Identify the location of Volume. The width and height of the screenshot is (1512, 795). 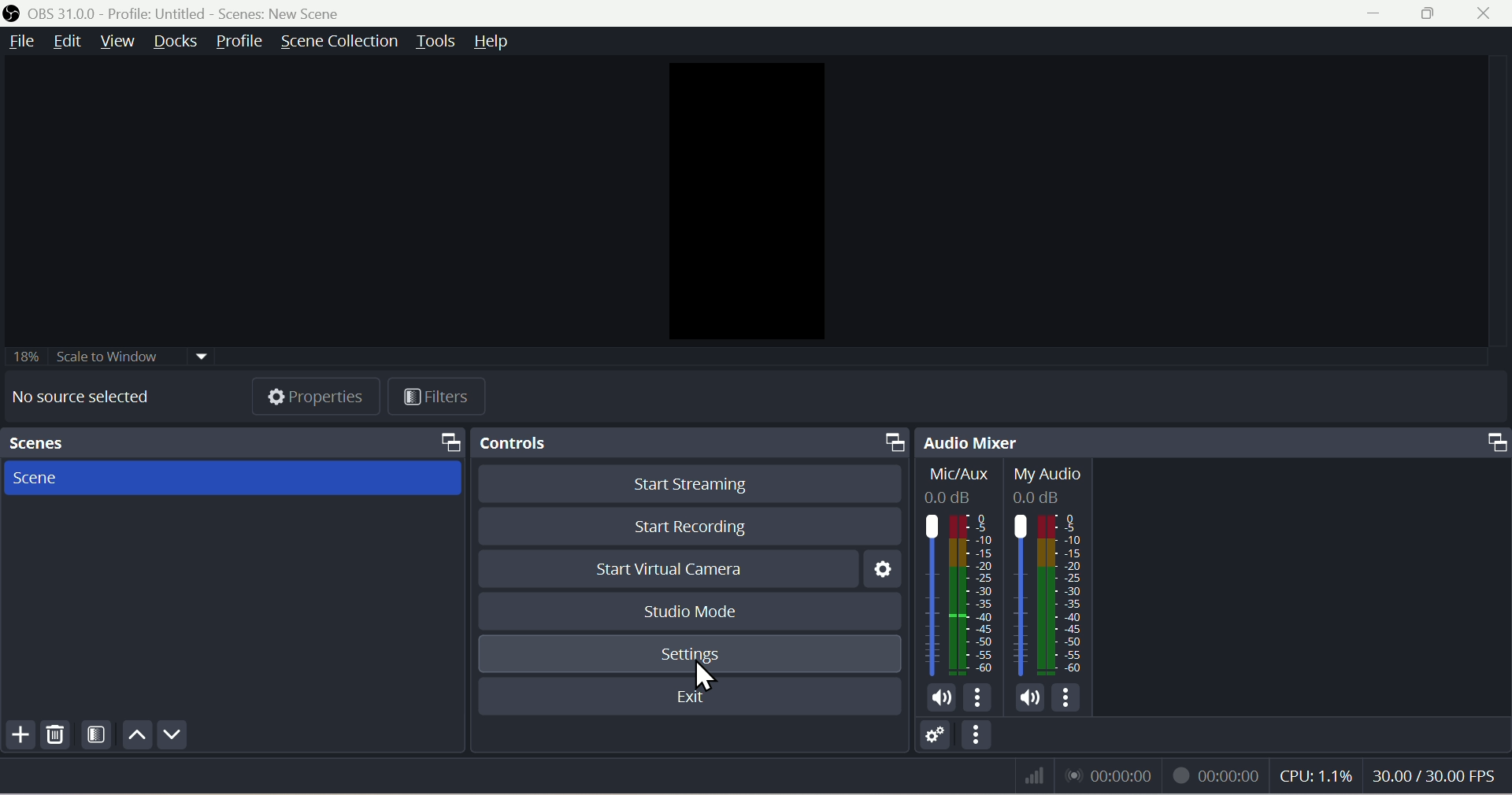
(935, 697).